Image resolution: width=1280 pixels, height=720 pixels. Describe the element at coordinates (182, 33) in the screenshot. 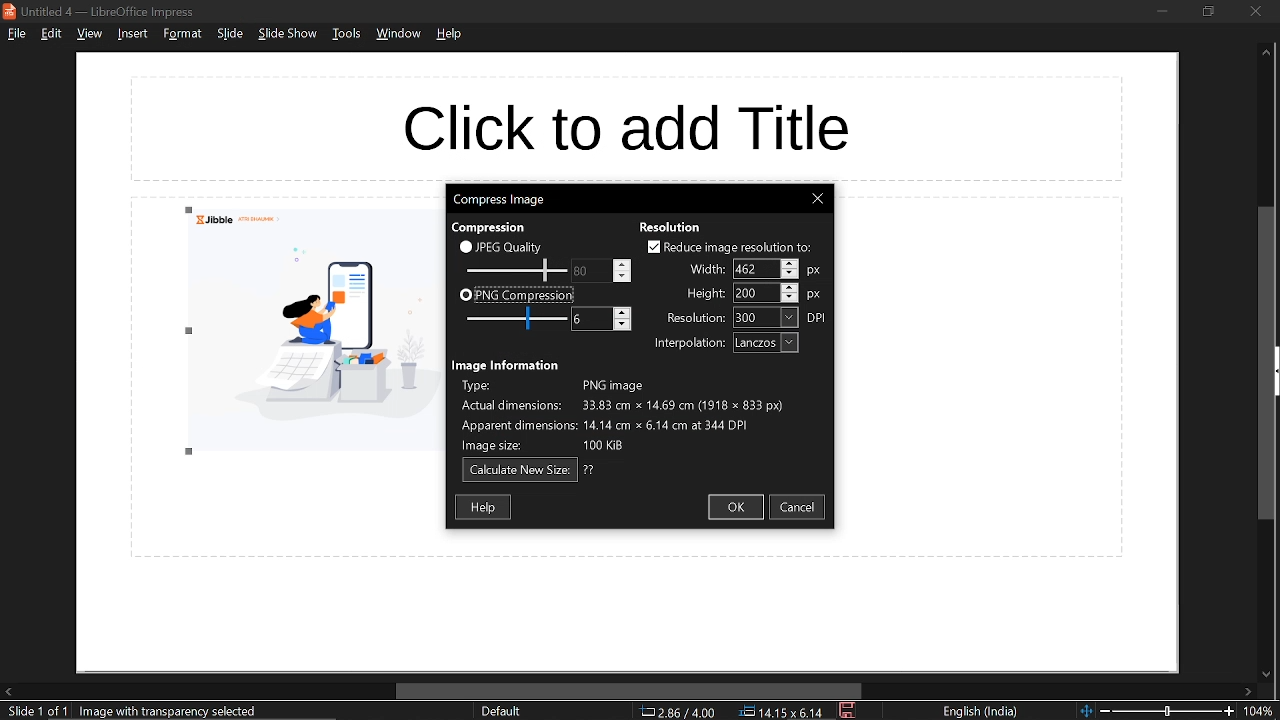

I see `format` at that location.